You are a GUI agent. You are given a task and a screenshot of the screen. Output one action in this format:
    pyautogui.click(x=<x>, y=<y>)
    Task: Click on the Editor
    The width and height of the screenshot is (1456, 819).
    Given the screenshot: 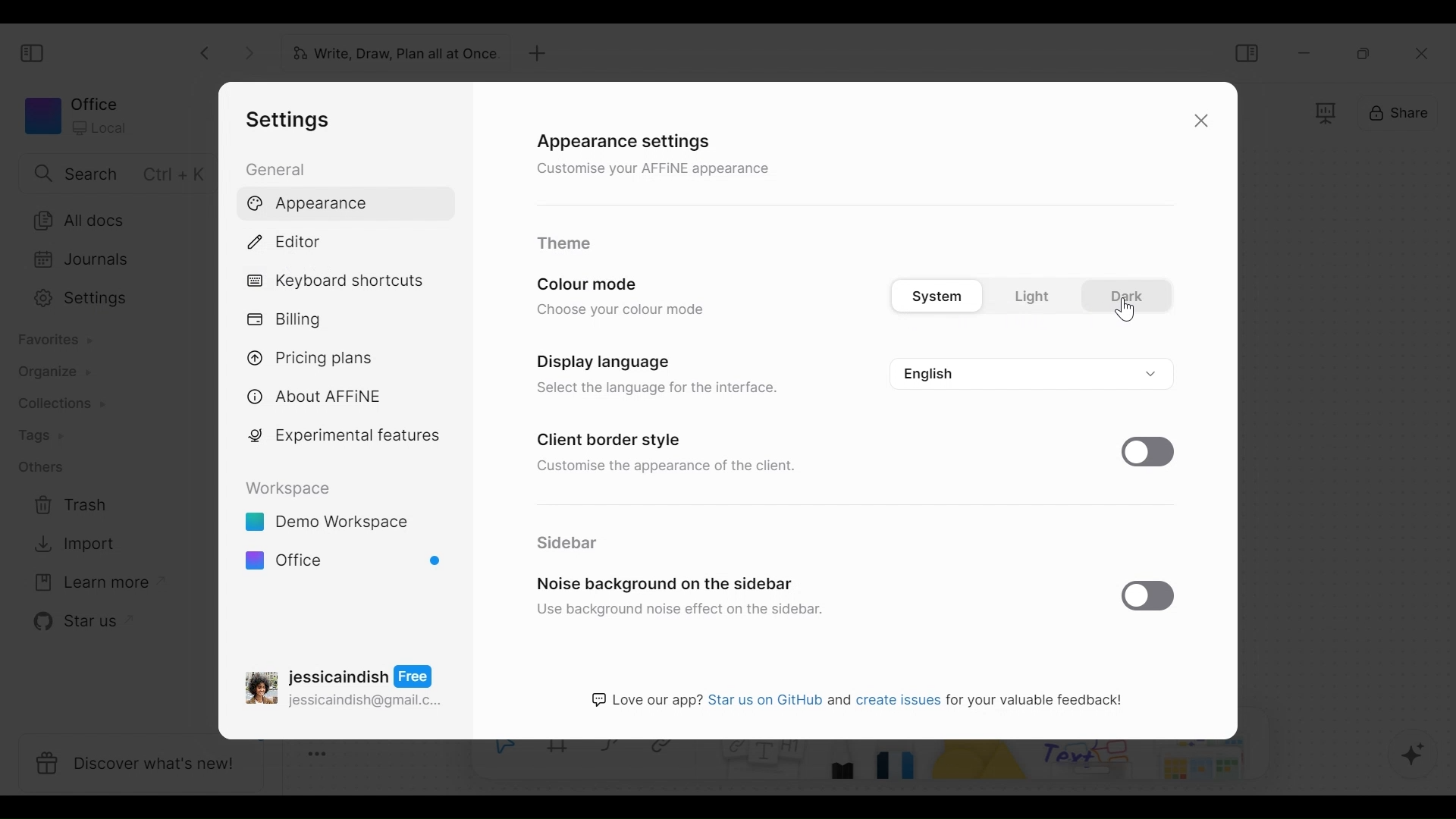 What is the action you would take?
    pyautogui.click(x=286, y=243)
    